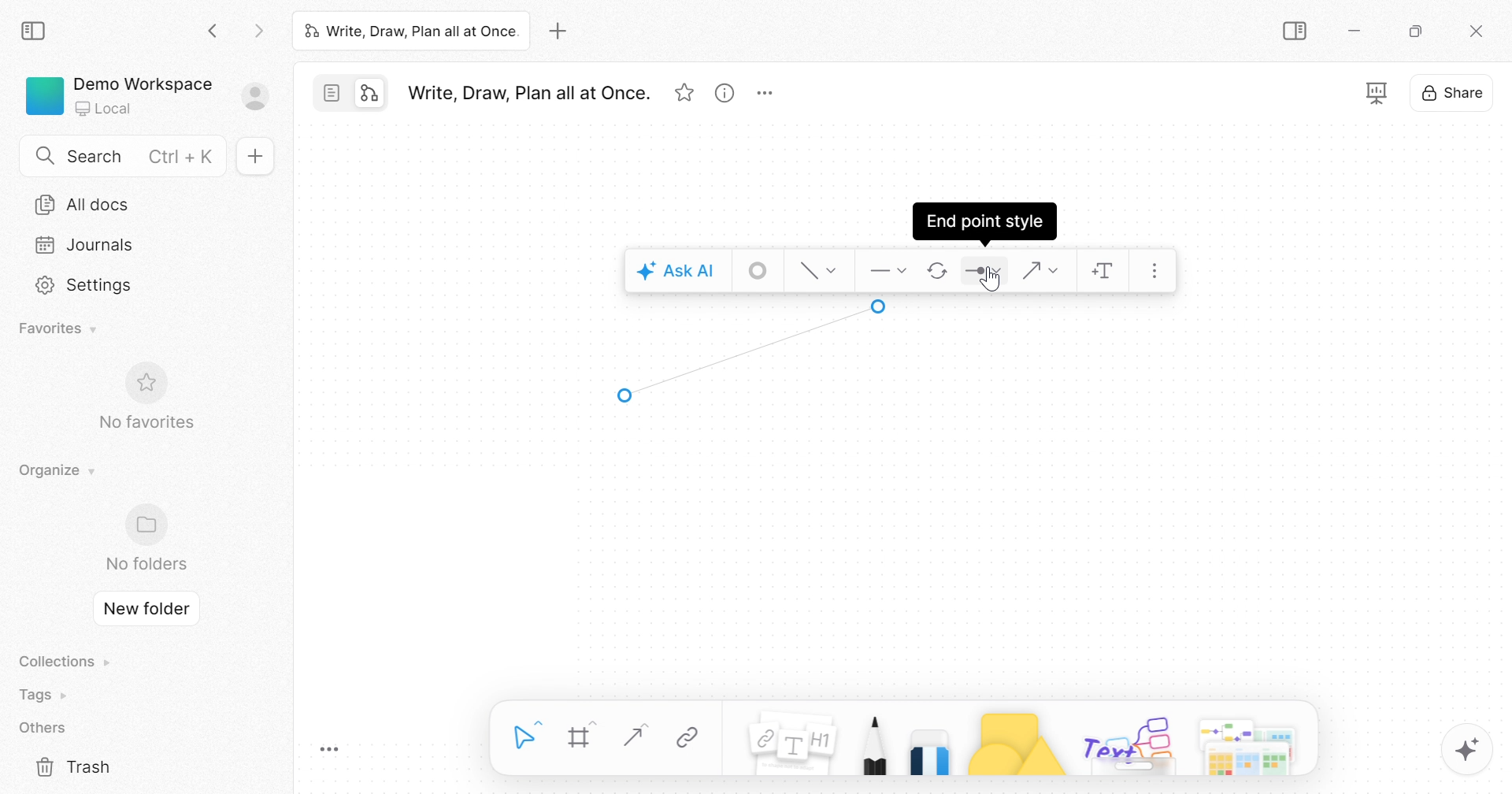 Image resolution: width=1512 pixels, height=794 pixels. What do you see at coordinates (581, 737) in the screenshot?
I see `Frame` at bounding box center [581, 737].